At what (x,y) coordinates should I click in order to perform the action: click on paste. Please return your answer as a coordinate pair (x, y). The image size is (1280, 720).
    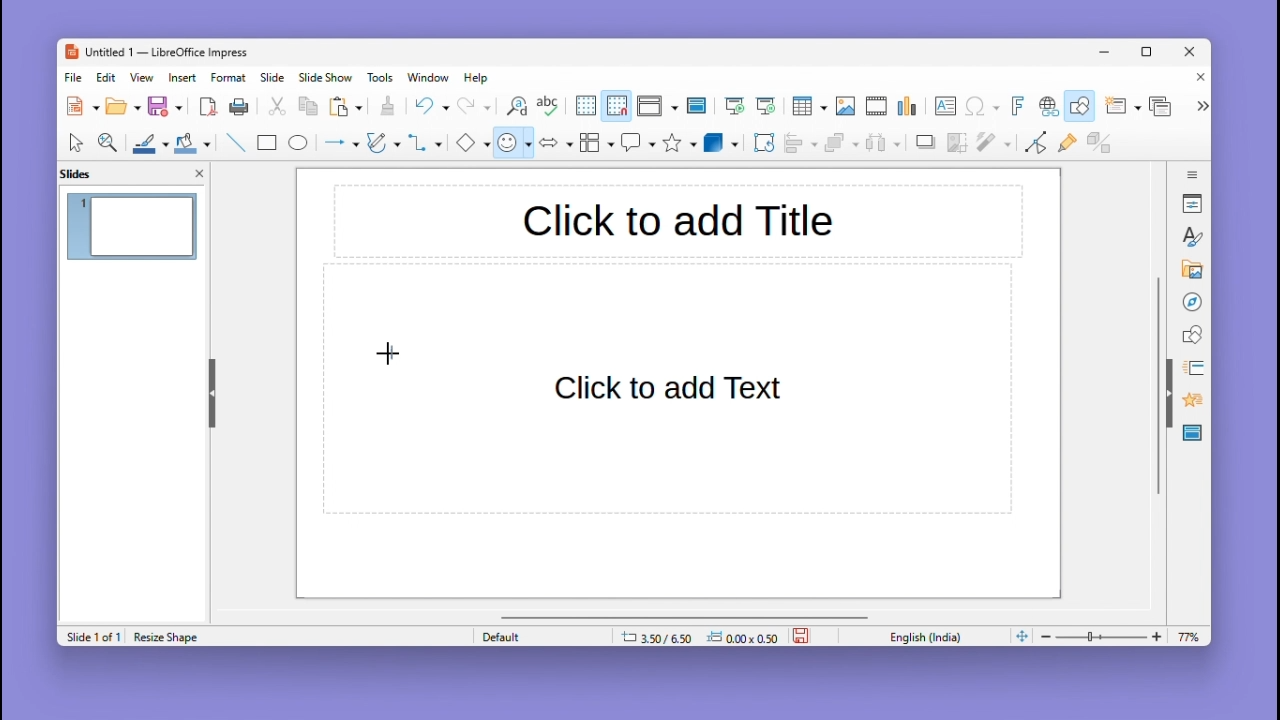
    Looking at the image, I should click on (347, 107).